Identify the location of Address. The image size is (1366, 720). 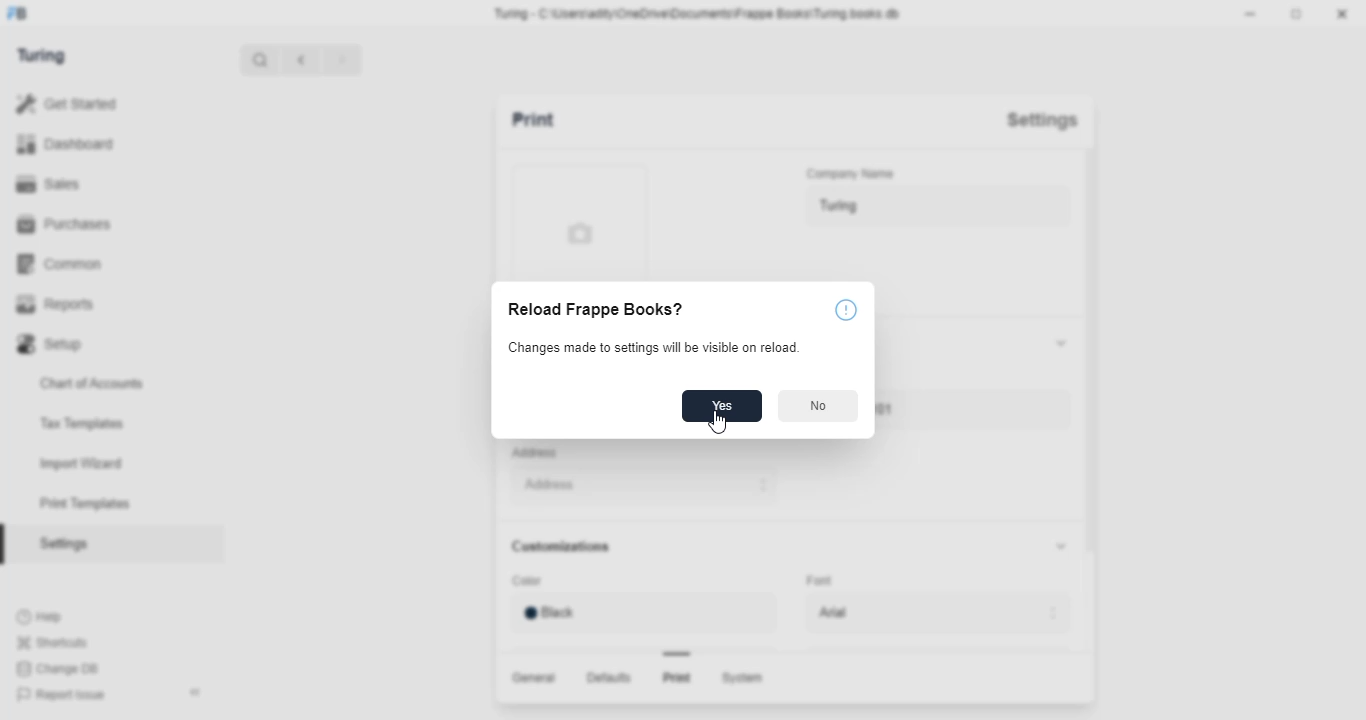
(538, 452).